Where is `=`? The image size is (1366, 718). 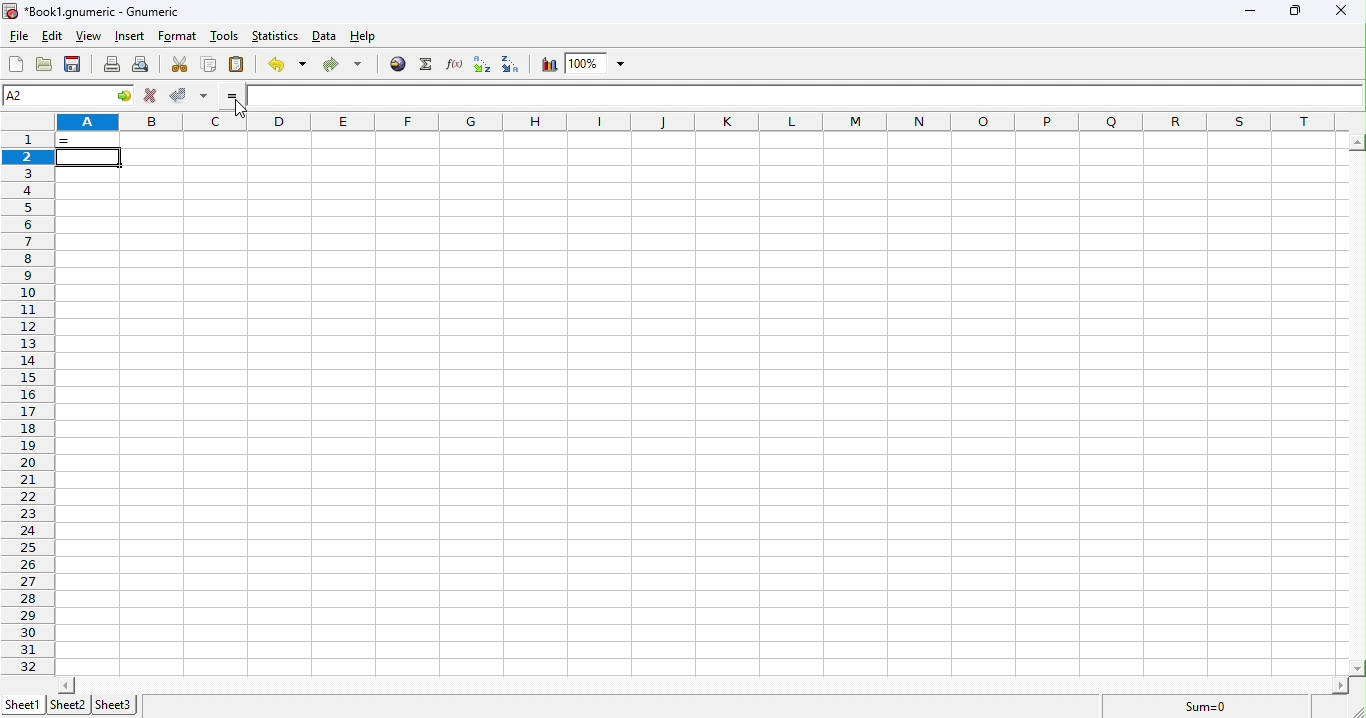 = is located at coordinates (90, 141).